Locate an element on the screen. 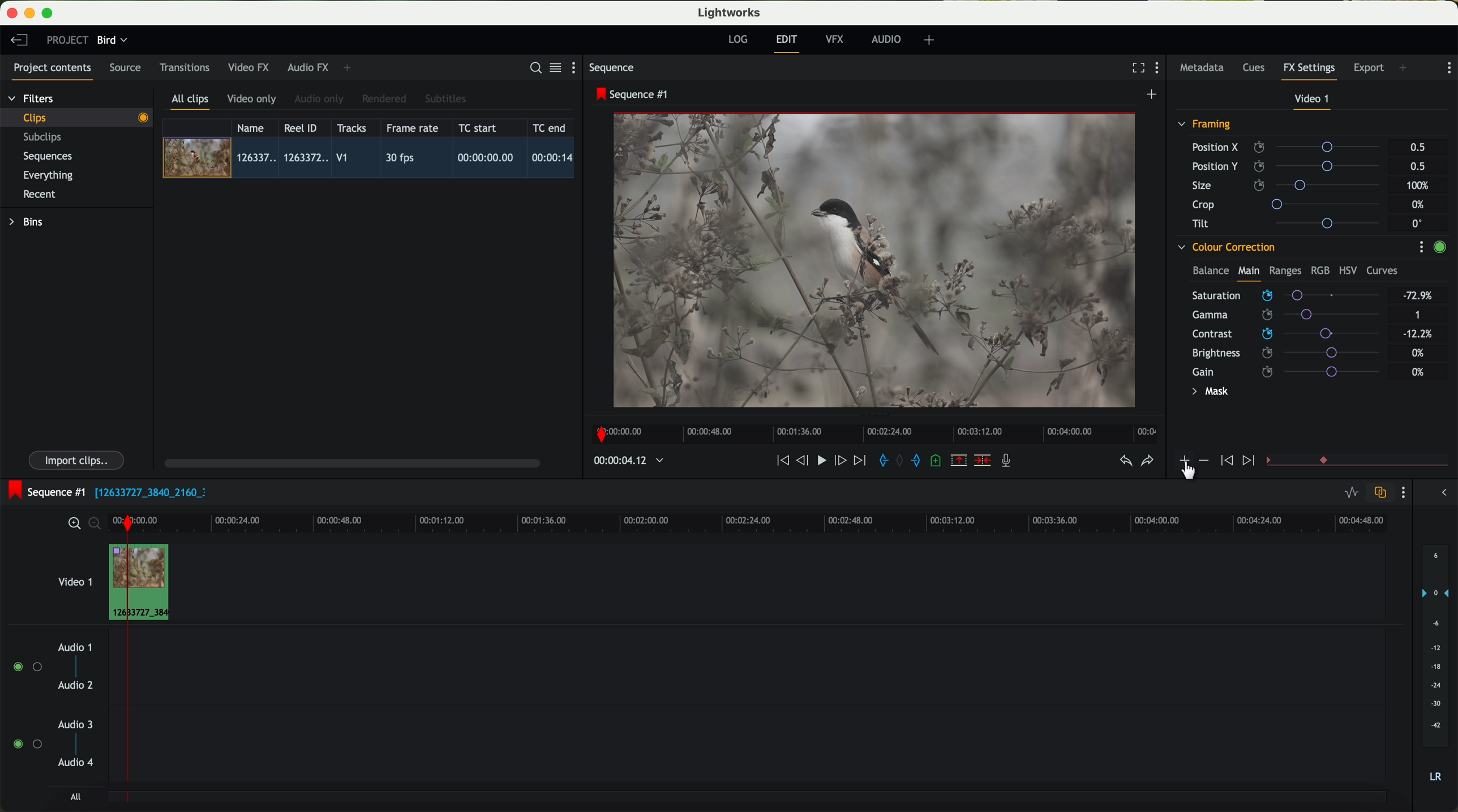 The width and height of the screenshot is (1458, 812). enable is located at coordinates (1439, 248).